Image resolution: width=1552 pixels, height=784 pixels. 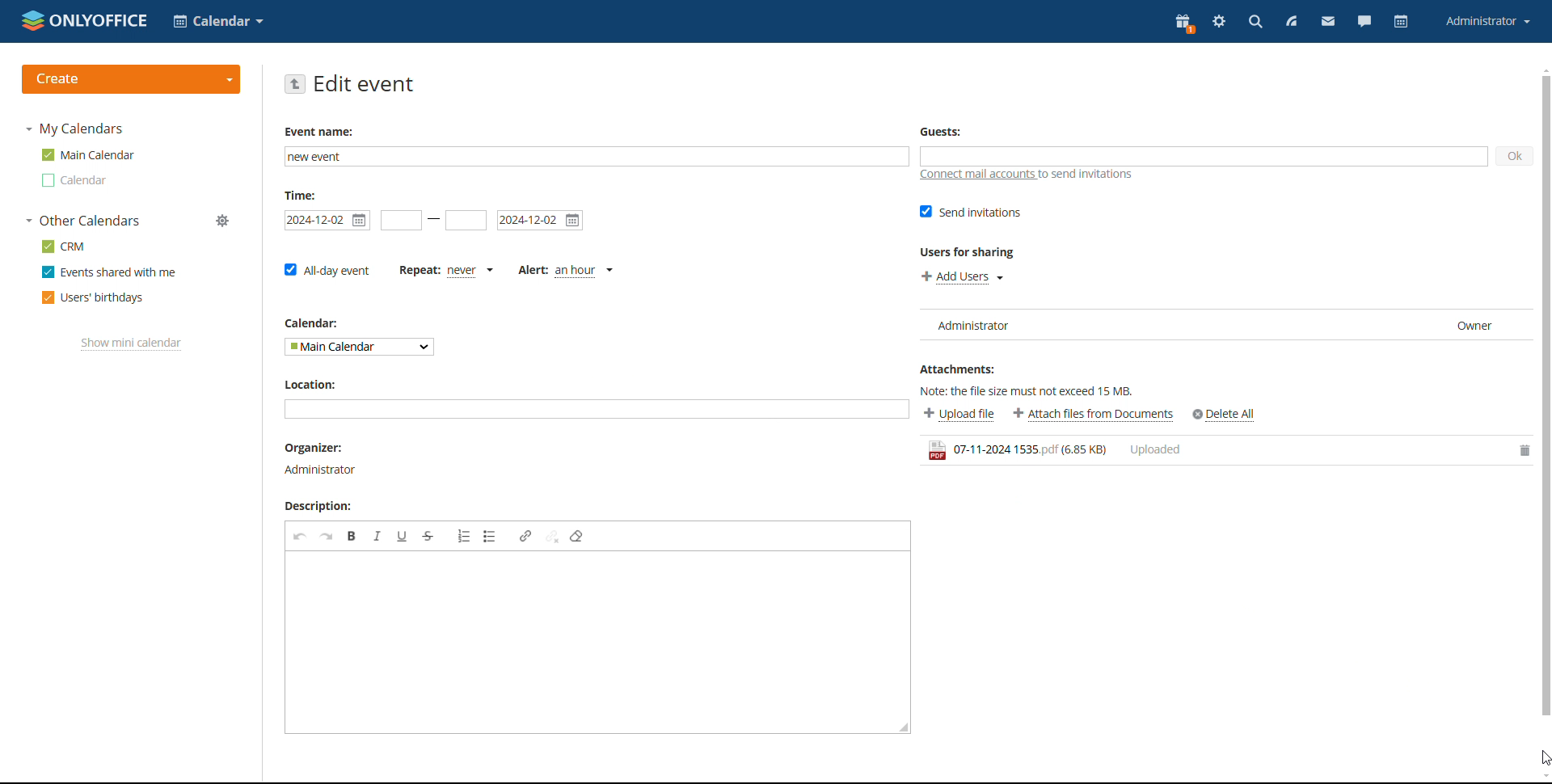 What do you see at coordinates (294, 84) in the screenshot?
I see `go back` at bounding box center [294, 84].